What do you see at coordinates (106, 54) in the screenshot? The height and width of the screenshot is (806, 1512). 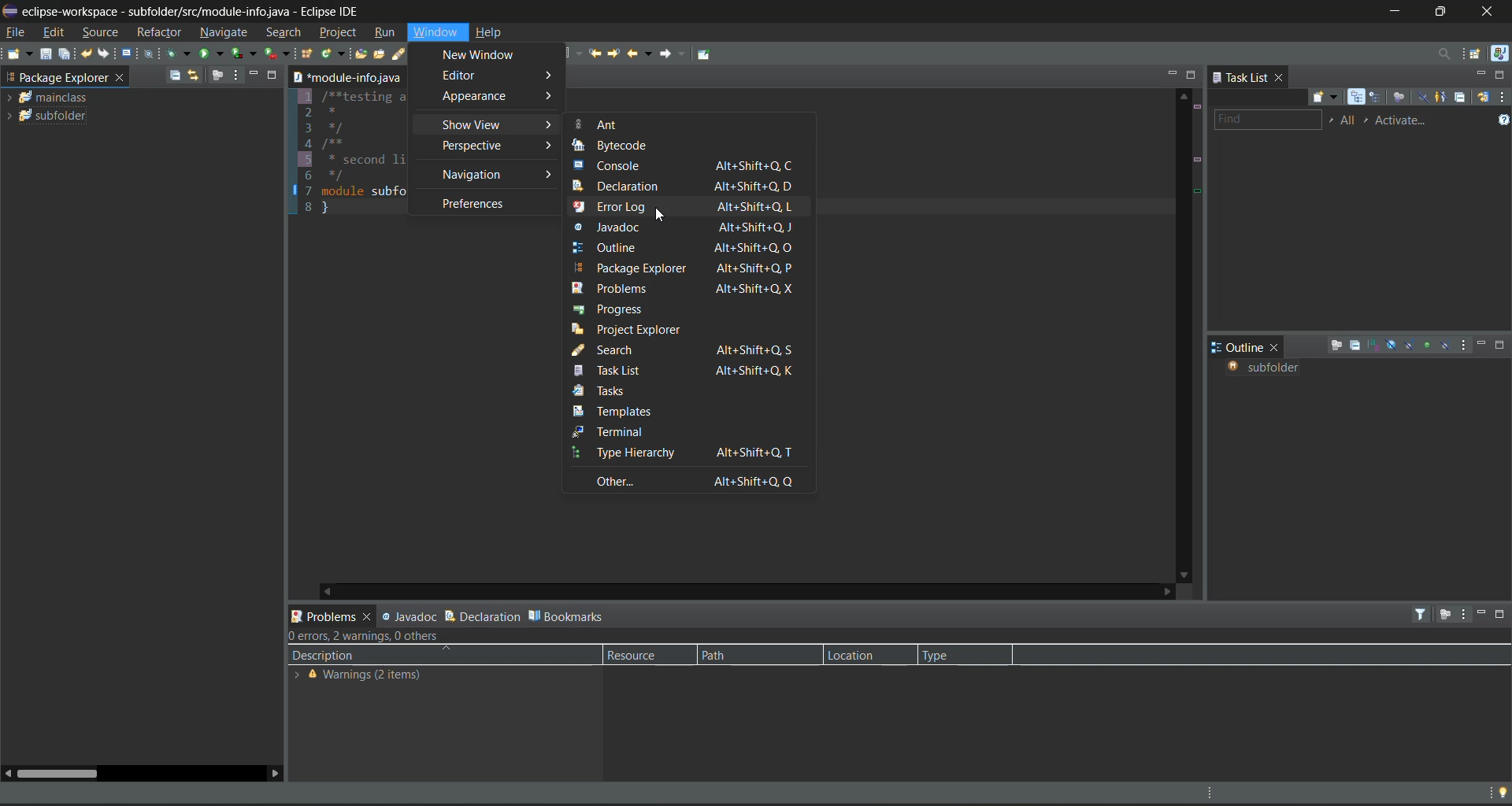 I see `redo` at bounding box center [106, 54].